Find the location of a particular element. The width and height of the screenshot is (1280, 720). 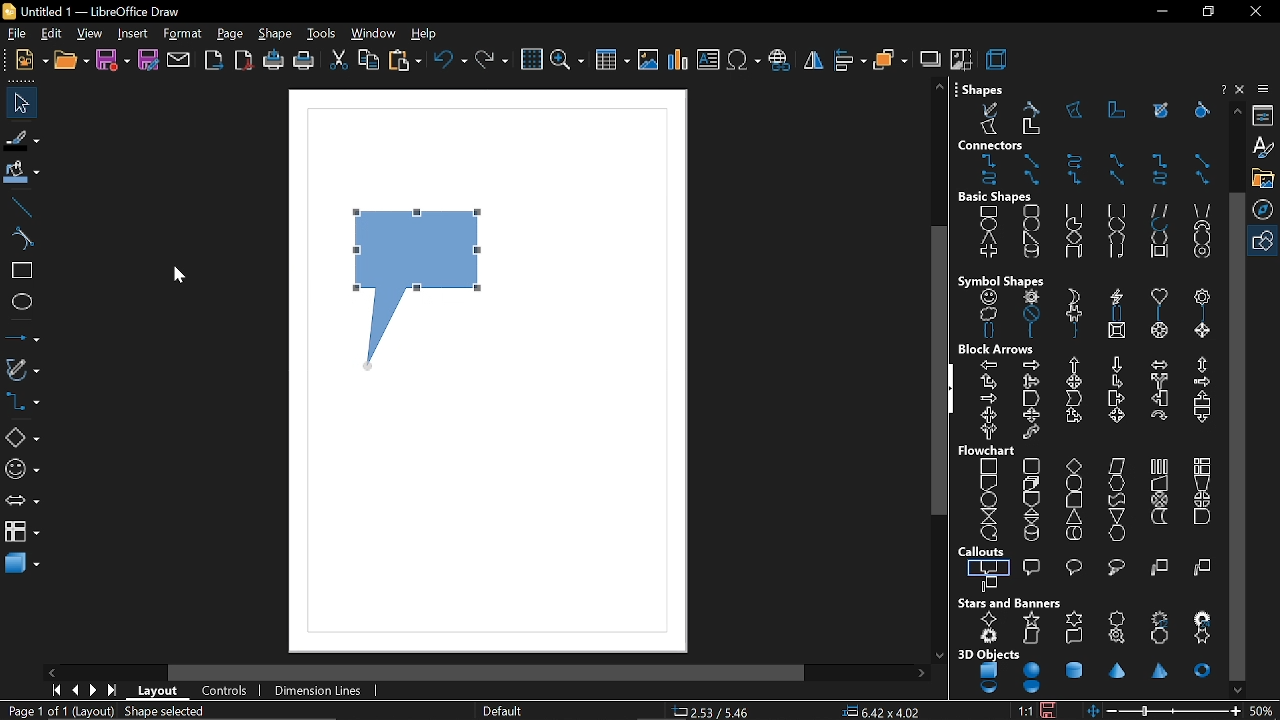

align is located at coordinates (848, 60).